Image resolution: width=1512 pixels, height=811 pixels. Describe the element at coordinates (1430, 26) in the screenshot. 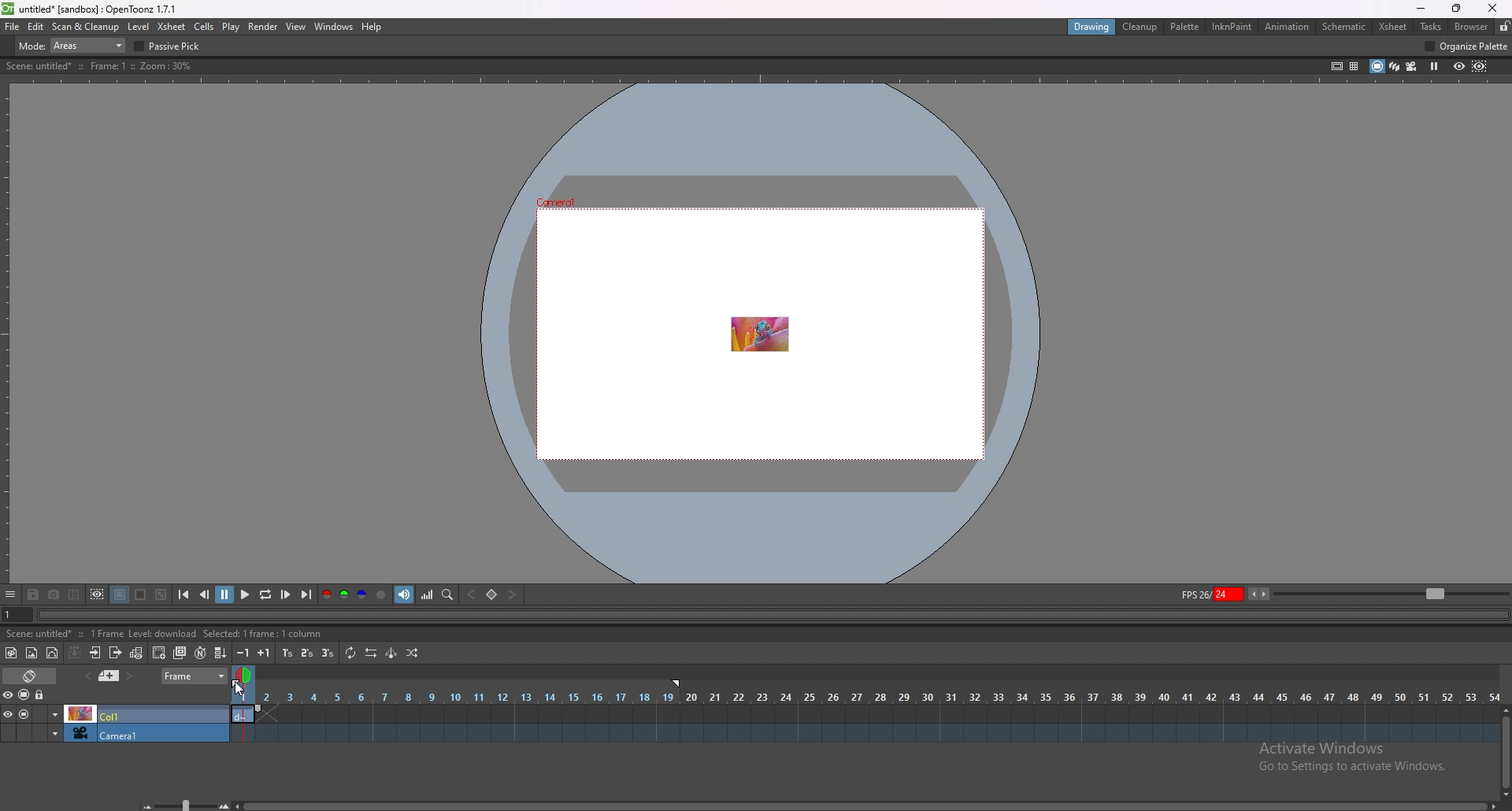

I see `tasks` at that location.